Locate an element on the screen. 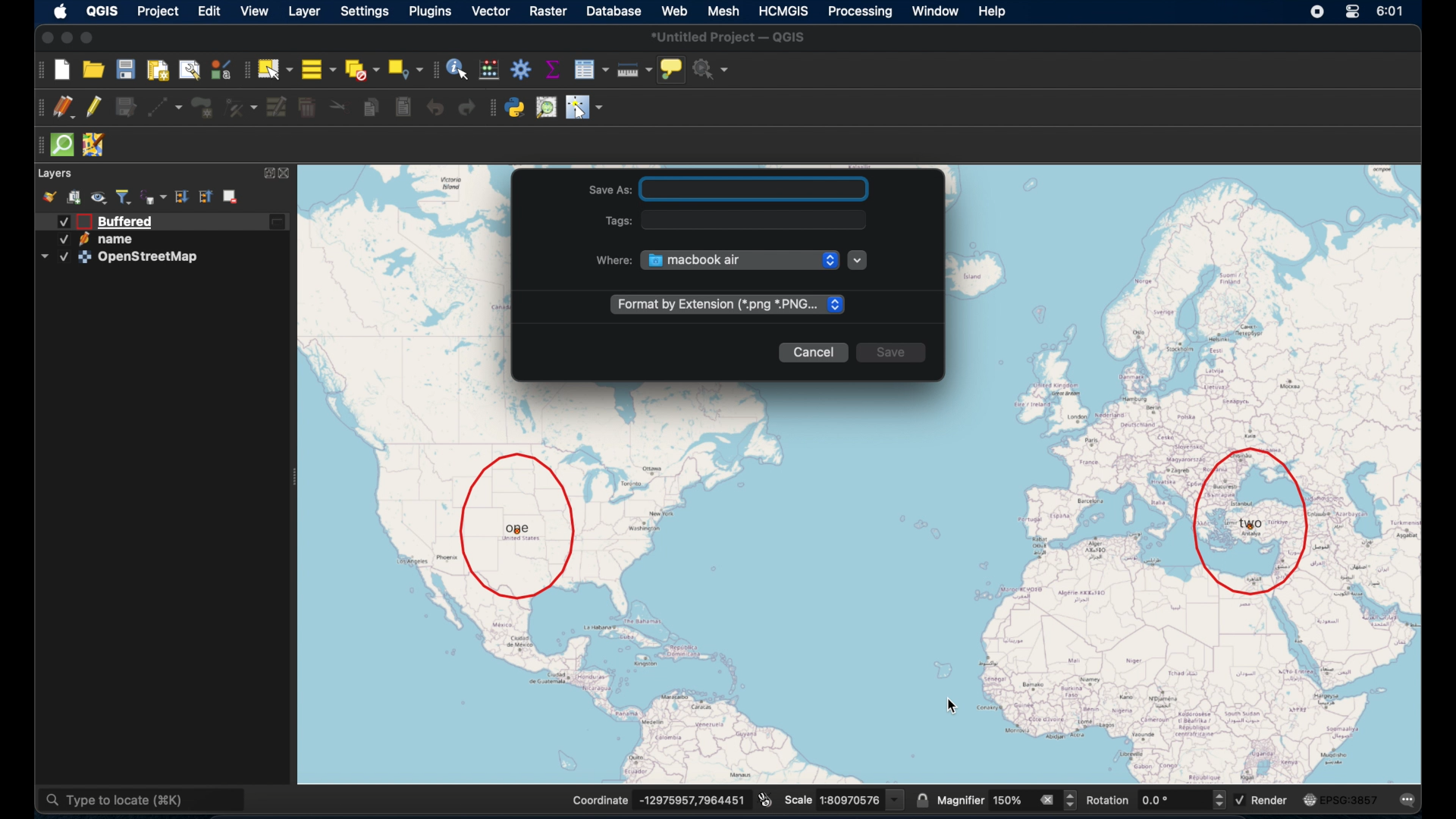 This screenshot has height=819, width=1456. select by location is located at coordinates (406, 68).